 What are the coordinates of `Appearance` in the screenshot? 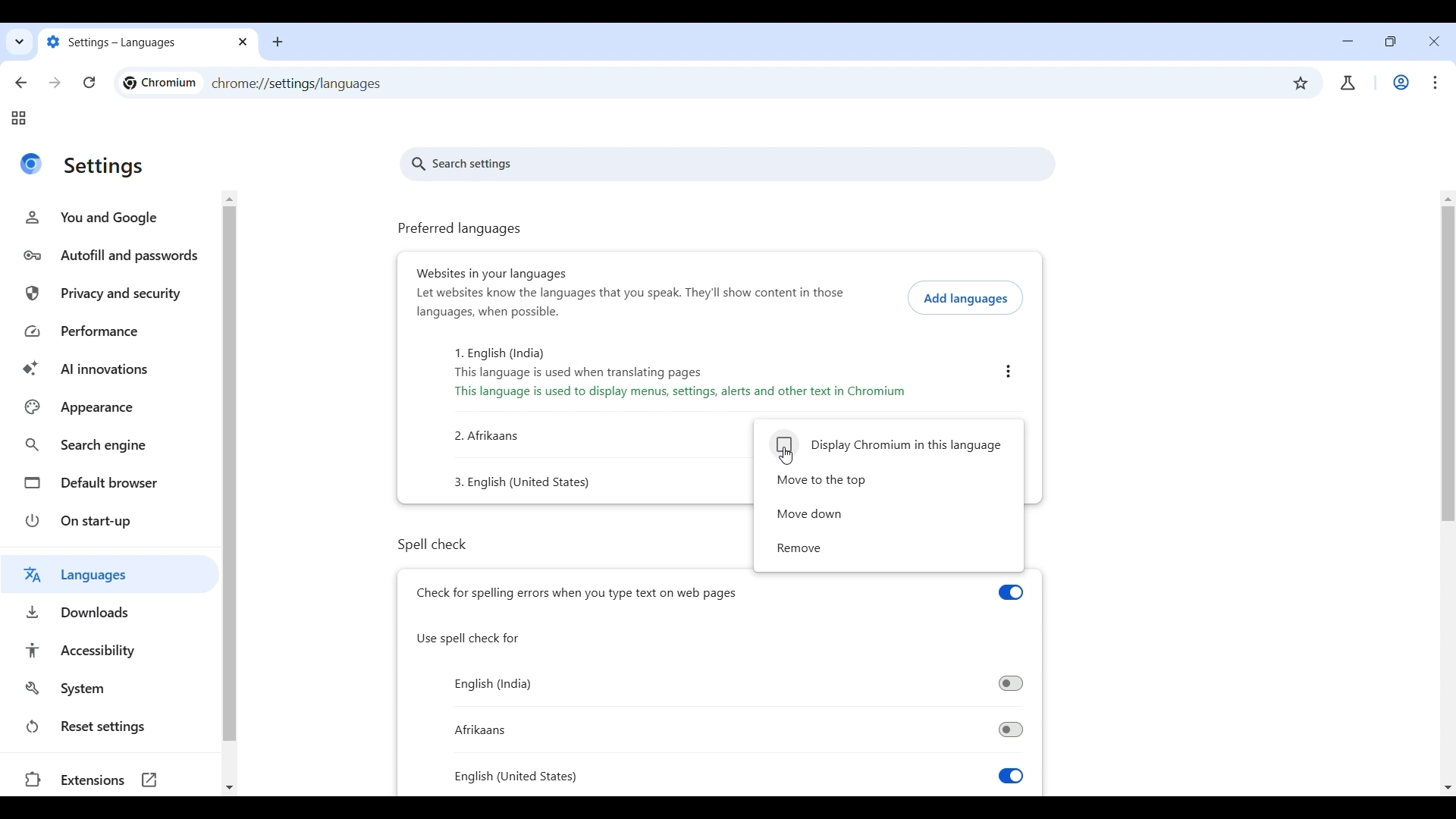 It's located at (111, 406).